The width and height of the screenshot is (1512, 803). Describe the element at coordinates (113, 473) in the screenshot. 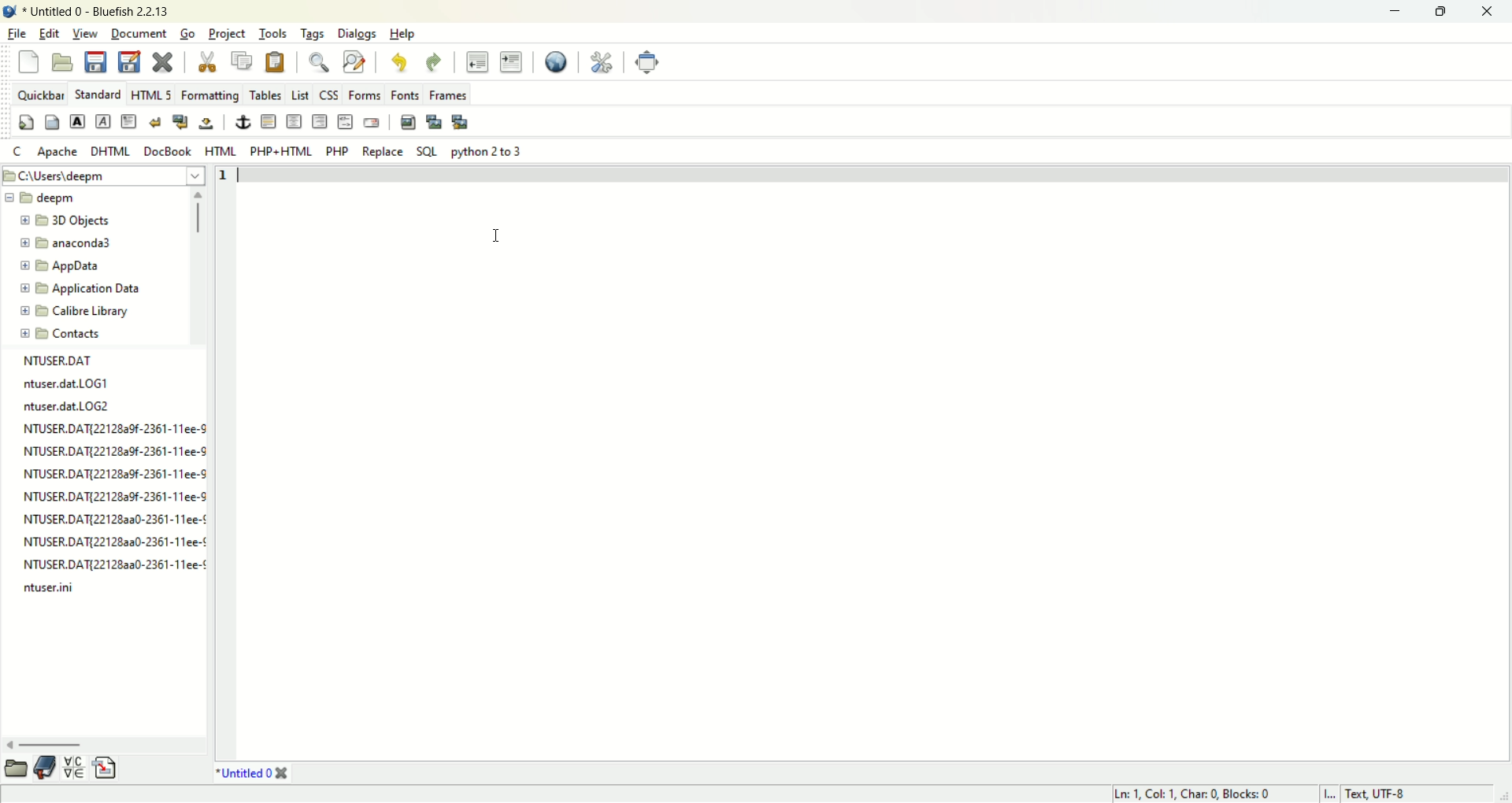

I see `NTUSER.DAT{22128a9f-2361-11ee-"` at that location.